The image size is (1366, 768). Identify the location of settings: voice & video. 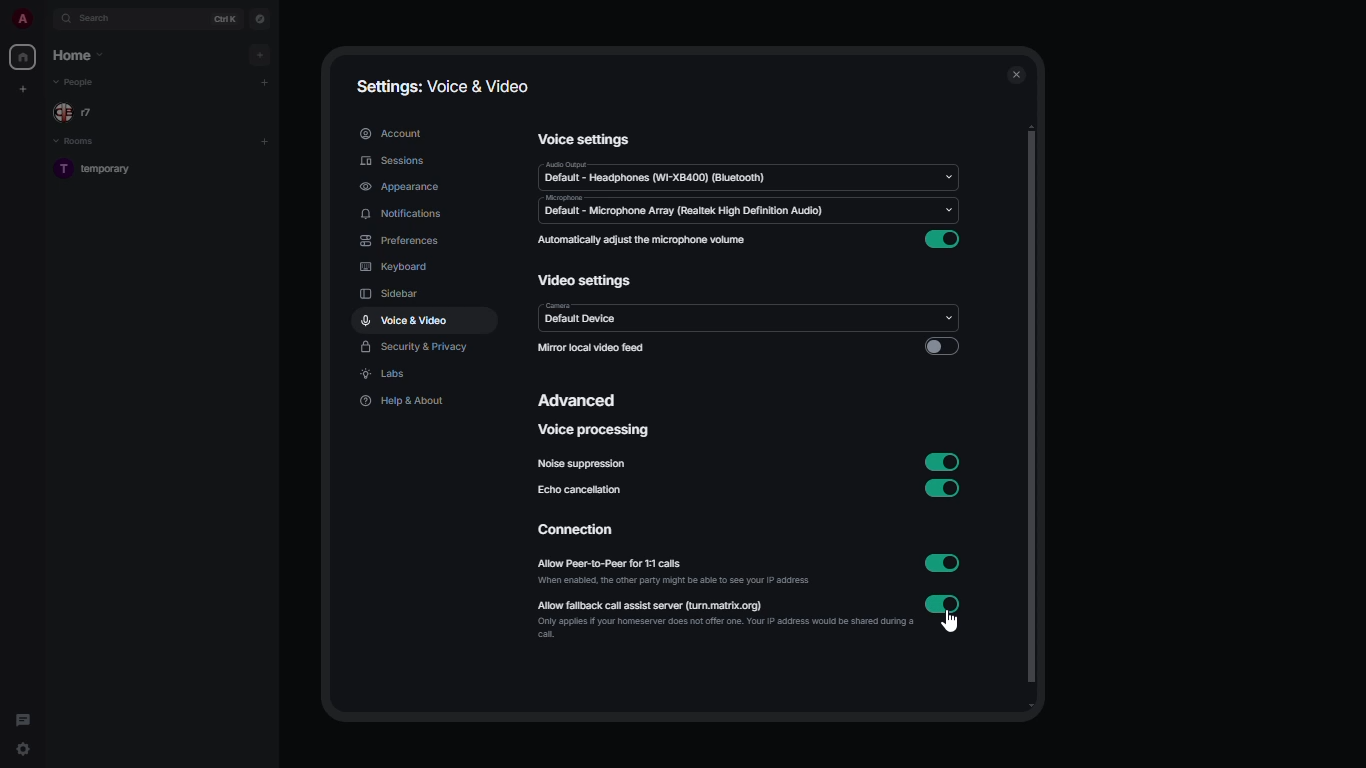
(448, 84).